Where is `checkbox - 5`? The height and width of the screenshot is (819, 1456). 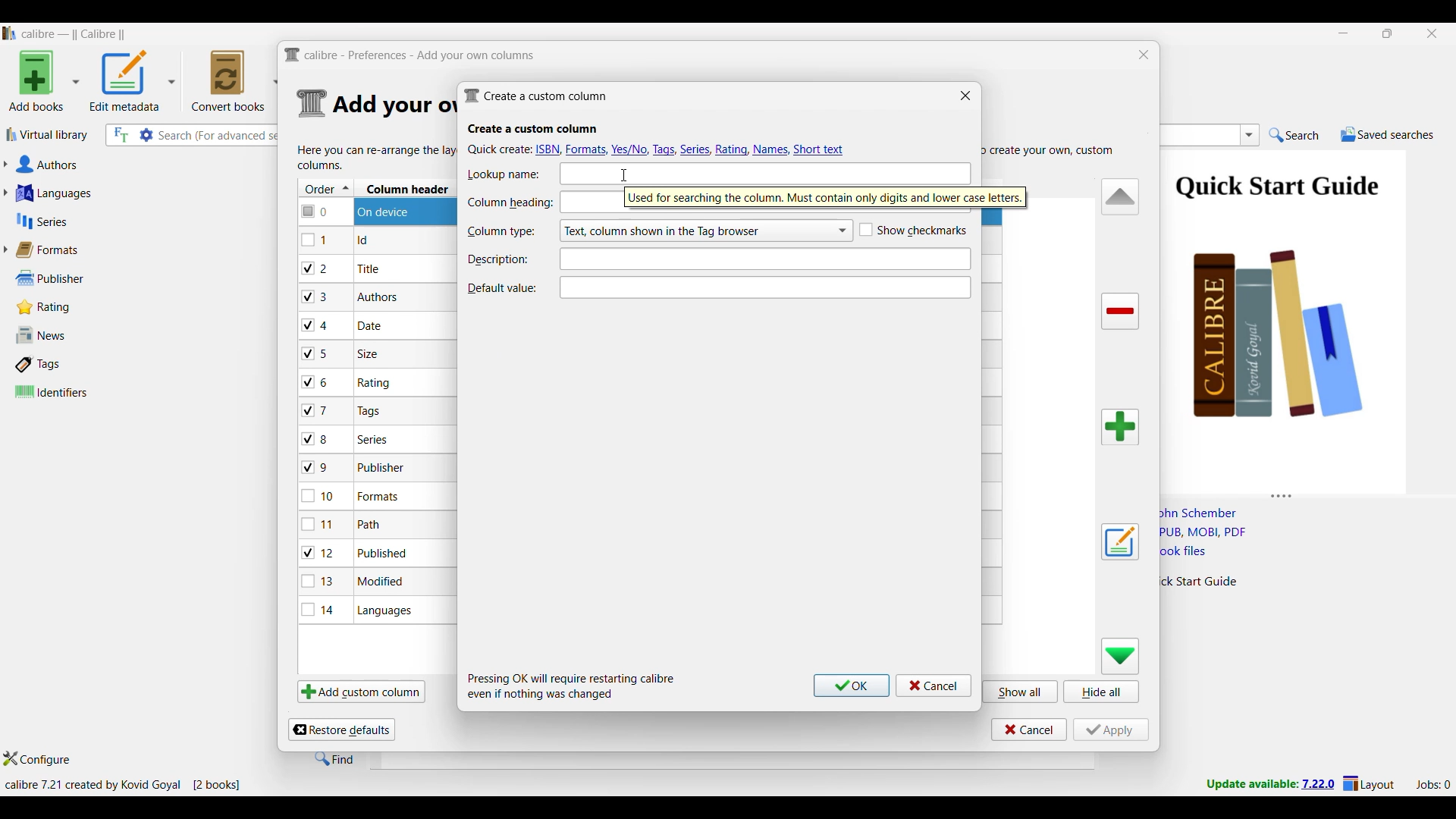 checkbox - 5 is located at coordinates (321, 353).